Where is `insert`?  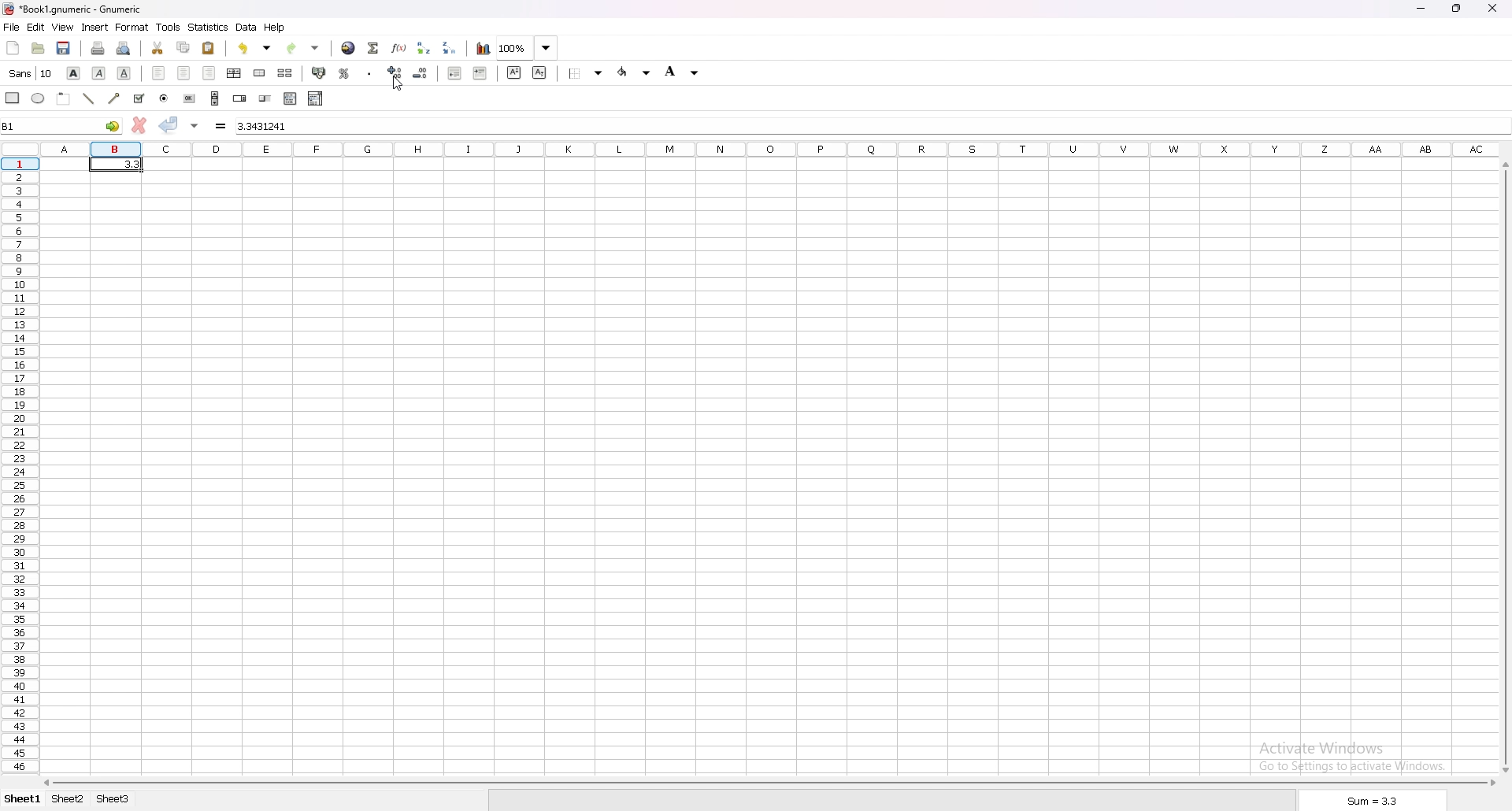
insert is located at coordinates (95, 28).